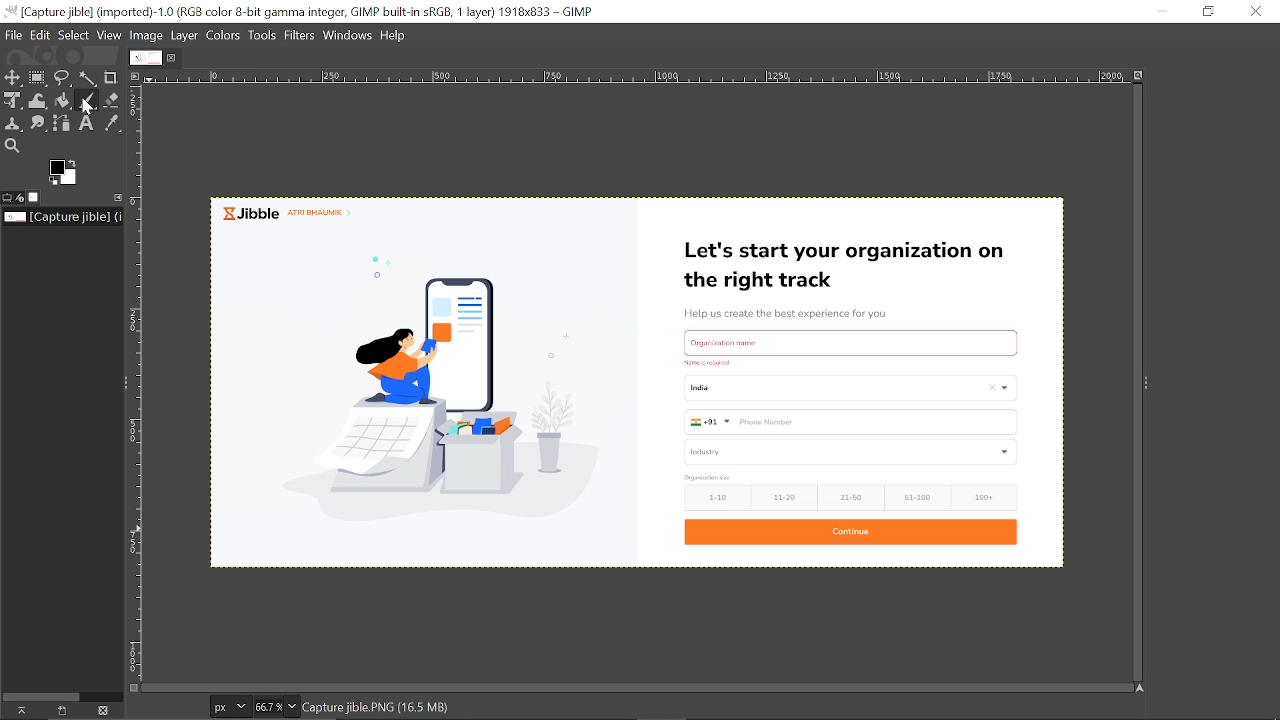  What do you see at coordinates (62, 217) in the screenshot?
I see `Location of the current file` at bounding box center [62, 217].